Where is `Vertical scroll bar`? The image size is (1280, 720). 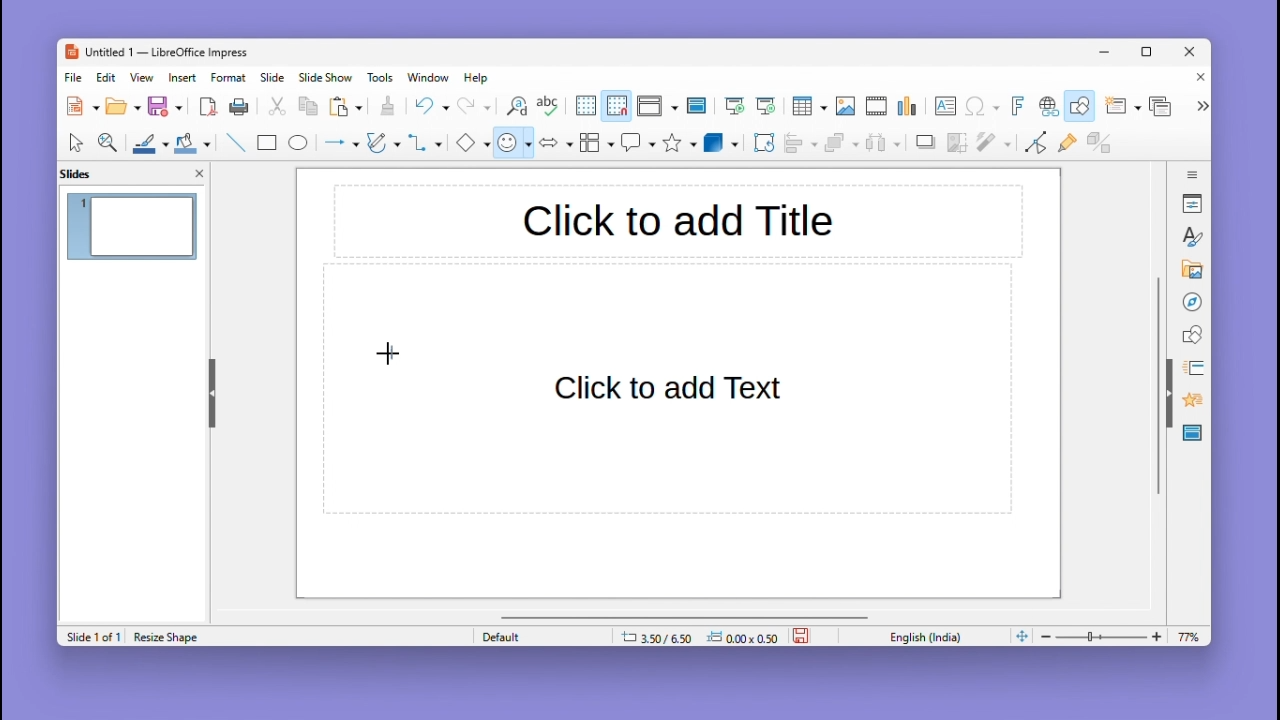
Vertical scroll bar is located at coordinates (1158, 386).